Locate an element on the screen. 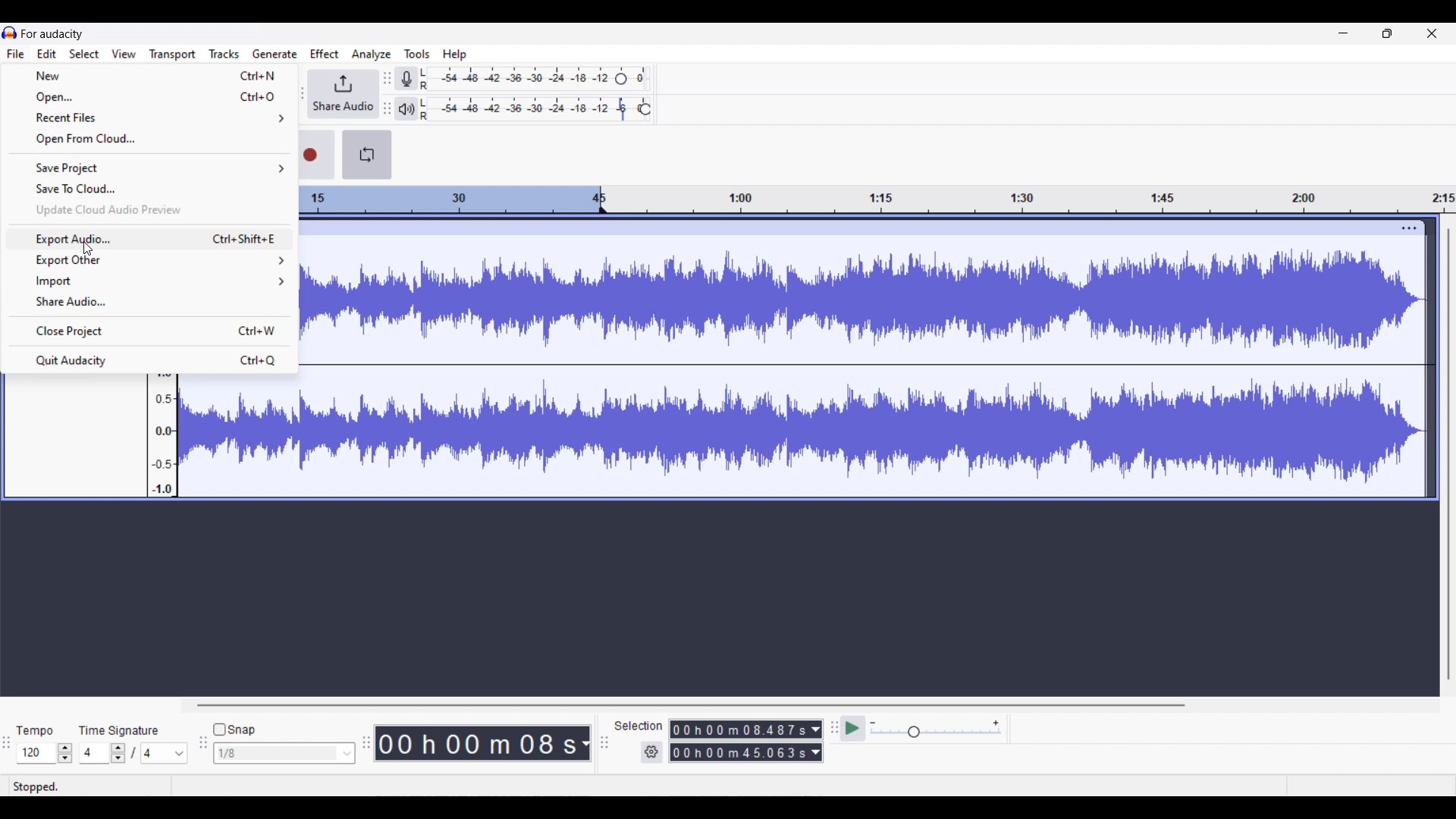  Share audio is located at coordinates (343, 94).